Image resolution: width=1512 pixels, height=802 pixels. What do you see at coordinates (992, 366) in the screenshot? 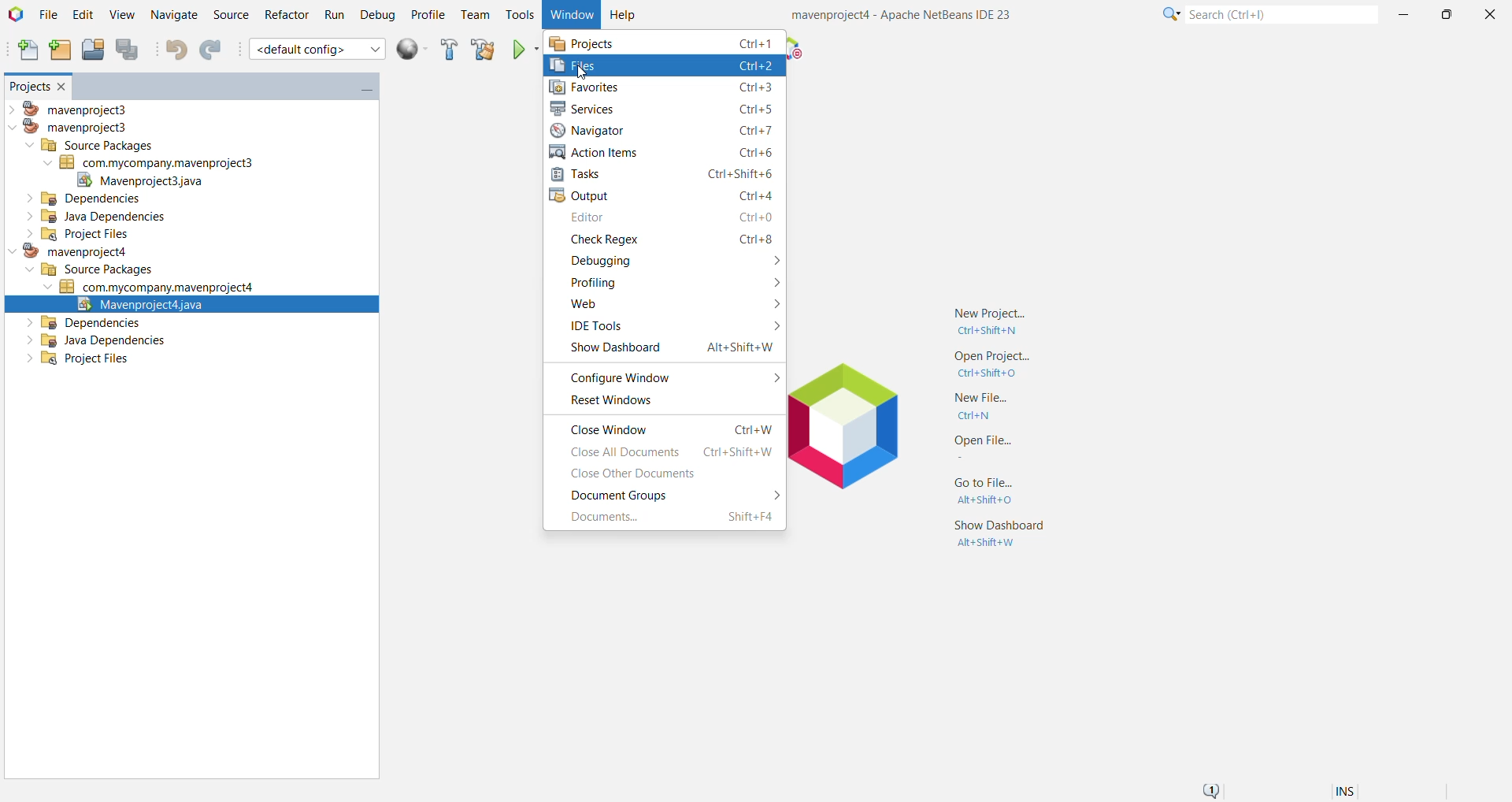
I see `Open Project` at bounding box center [992, 366].